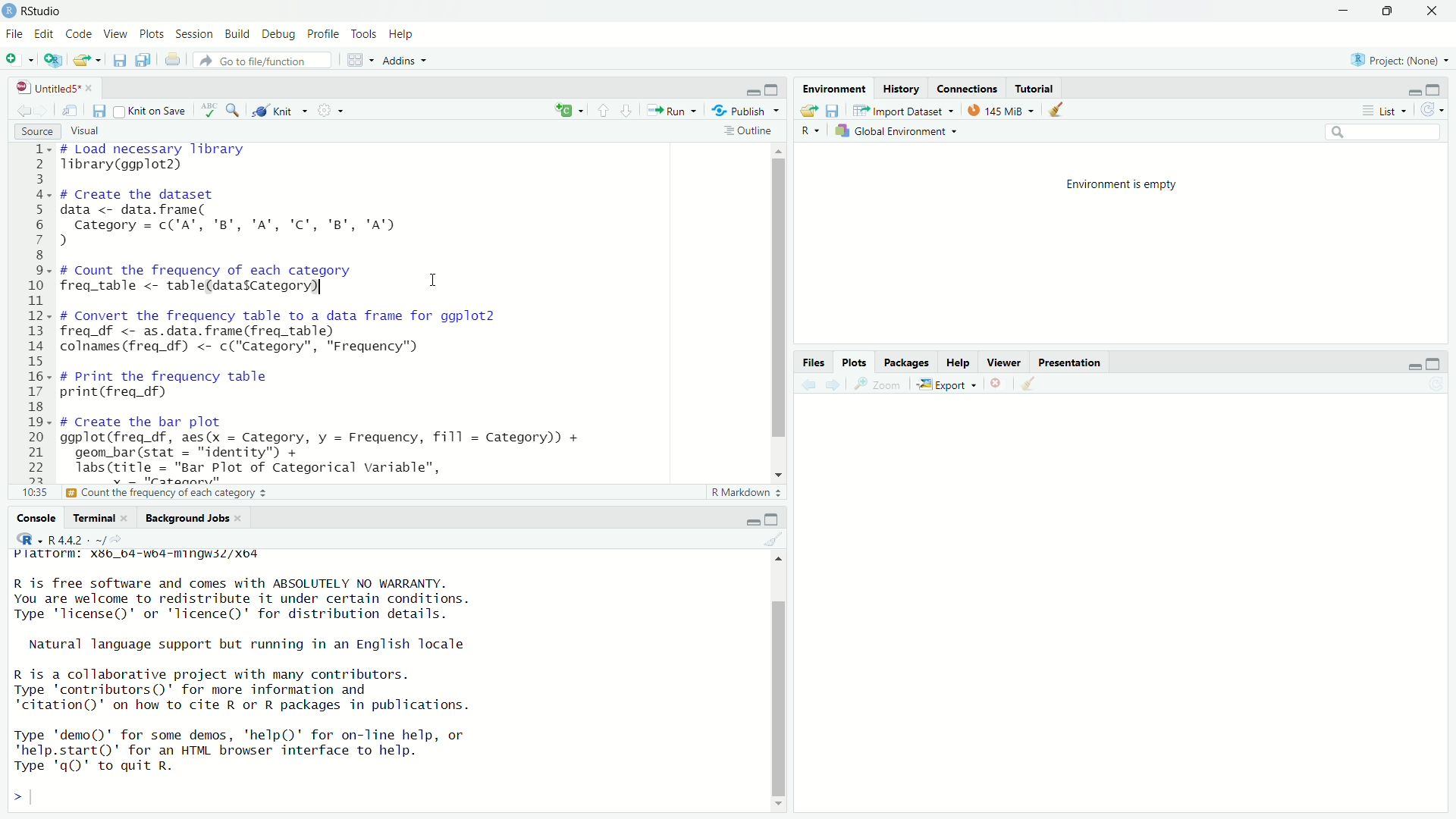 This screenshot has height=819, width=1456. Describe the element at coordinates (567, 111) in the screenshot. I see `insert new code chunk` at that location.